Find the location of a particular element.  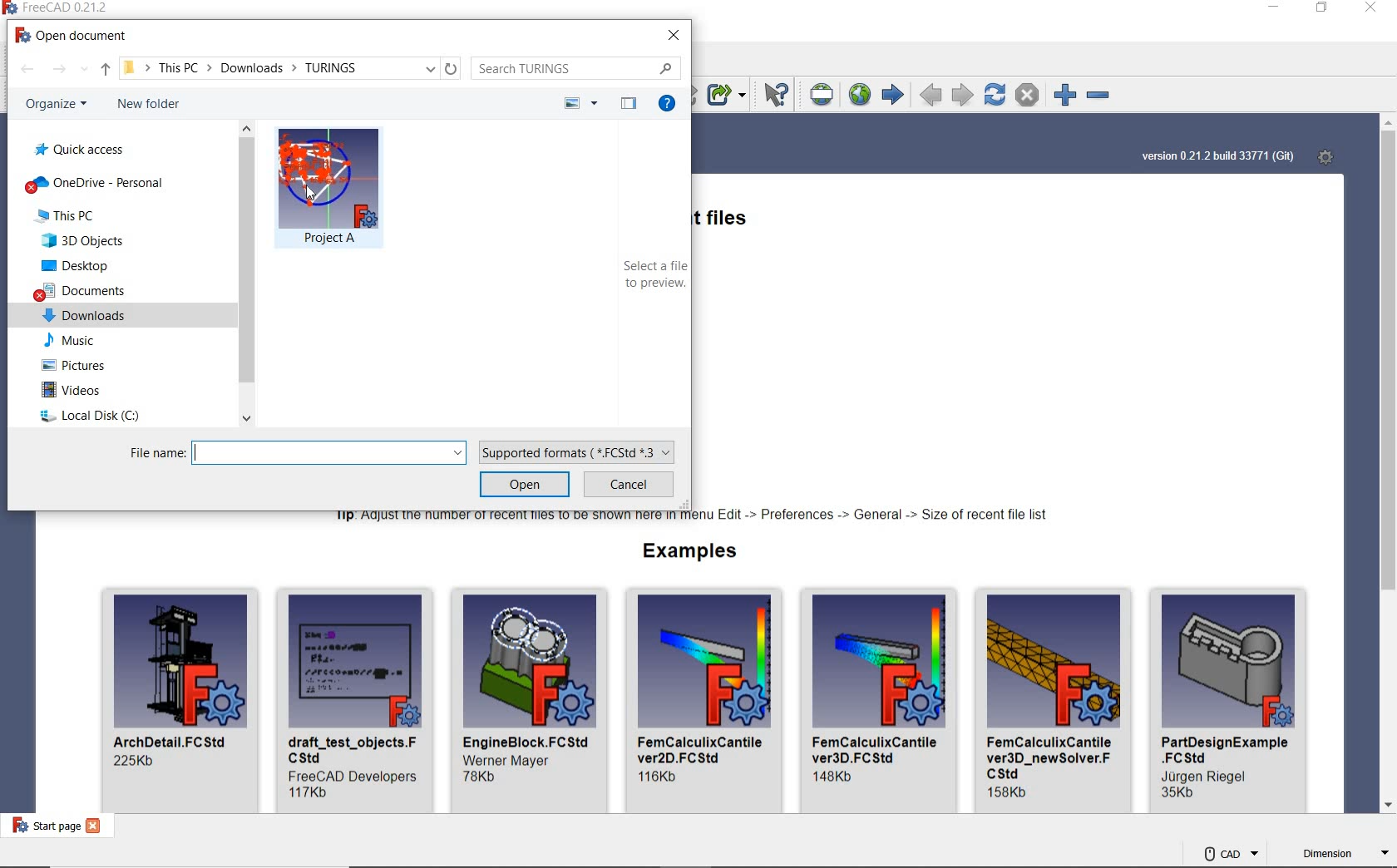

close is located at coordinates (95, 826).